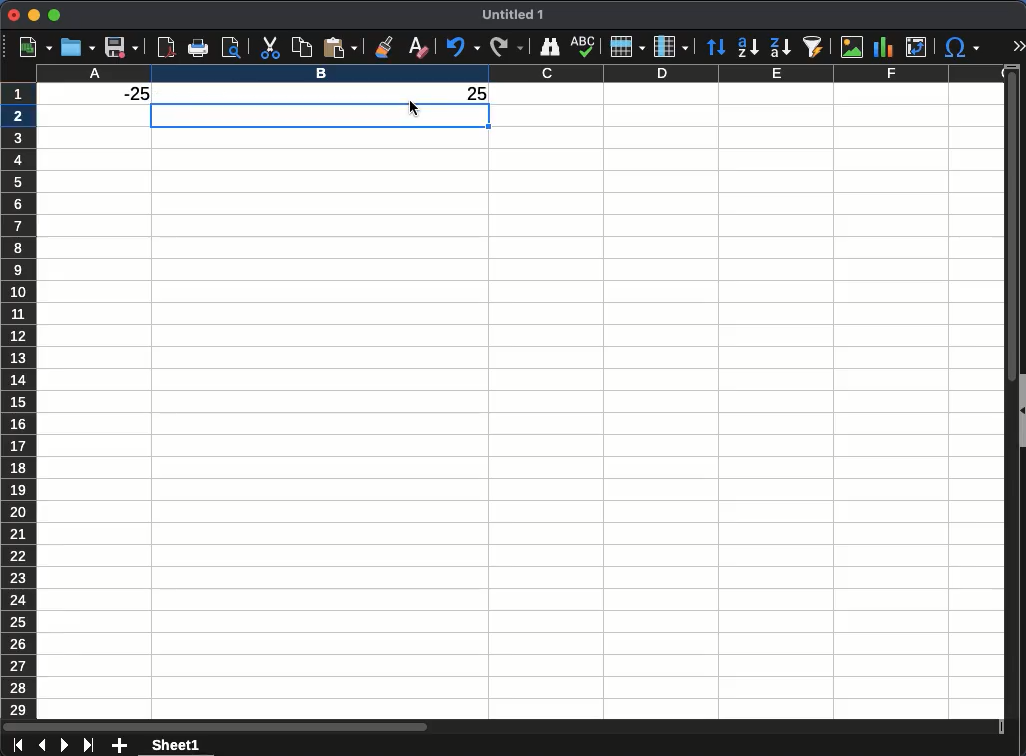 The width and height of the screenshot is (1026, 756). What do you see at coordinates (626, 46) in the screenshot?
I see `row` at bounding box center [626, 46].